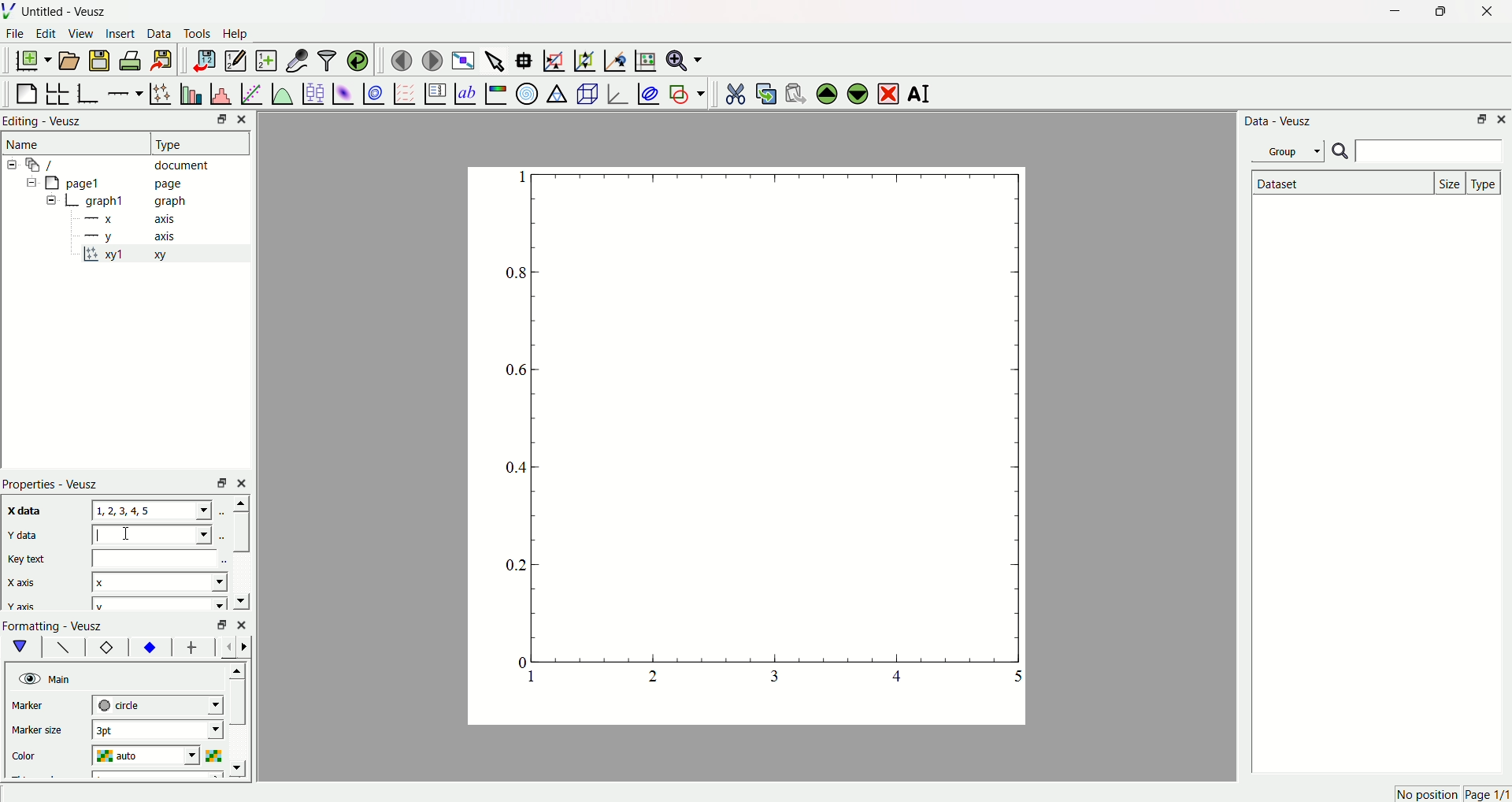 The width and height of the screenshot is (1512, 802). Describe the element at coordinates (149, 647) in the screenshot. I see `border fill` at that location.